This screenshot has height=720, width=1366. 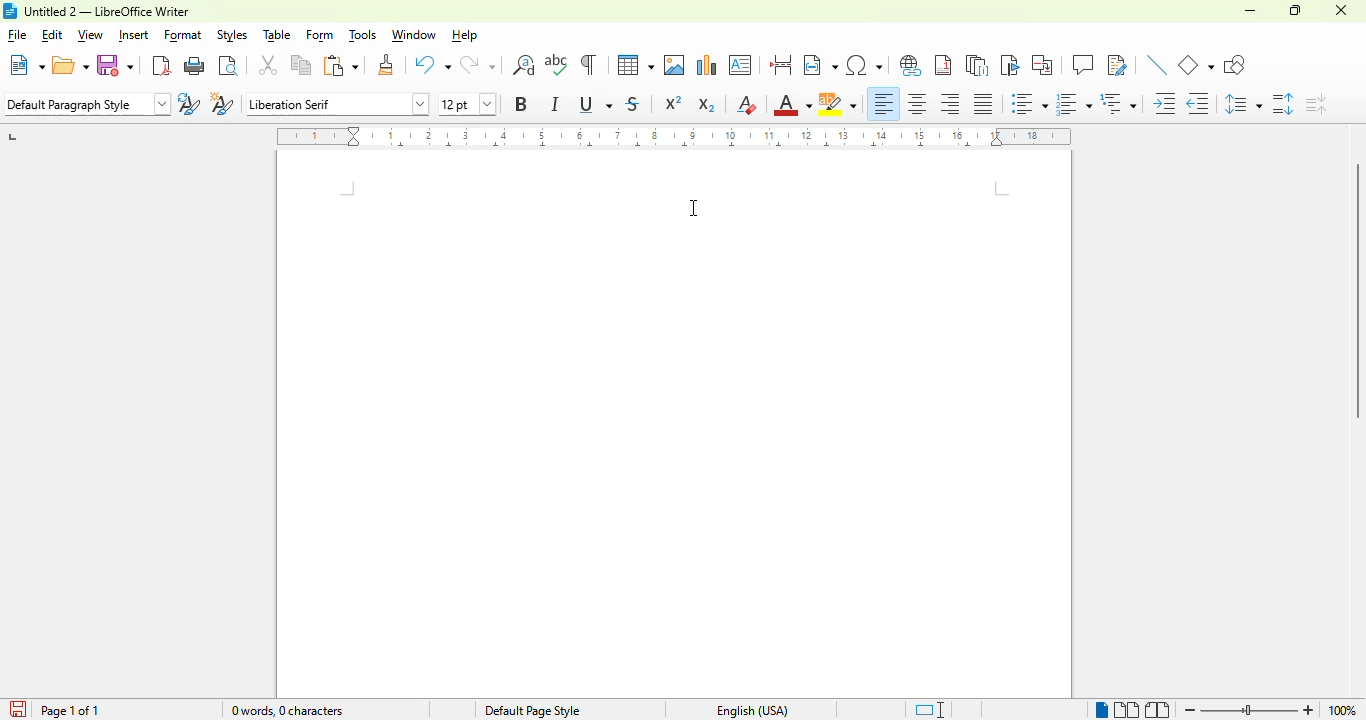 I want to click on insert bookmark, so click(x=1009, y=65).